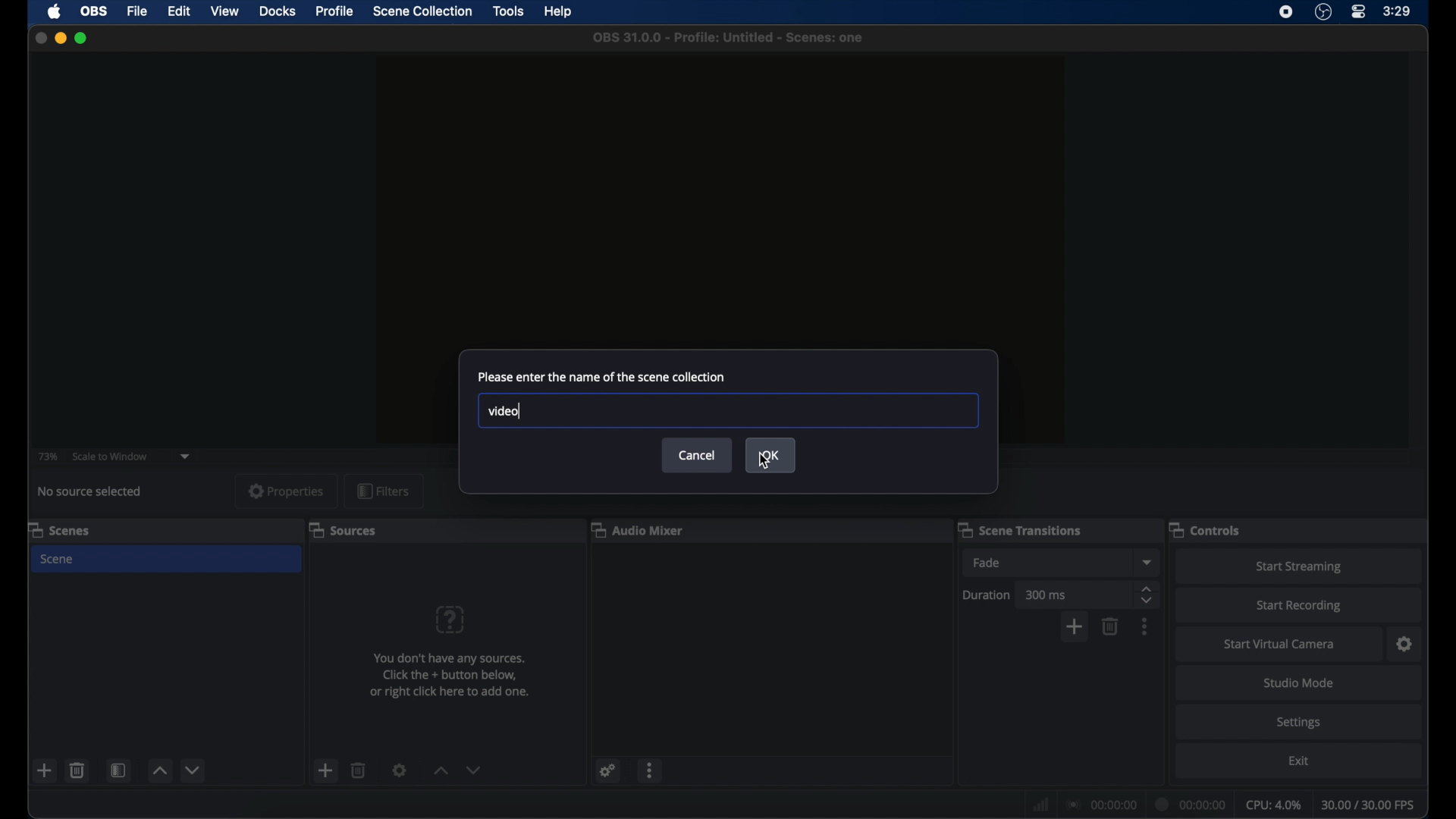  I want to click on time, so click(1398, 11).